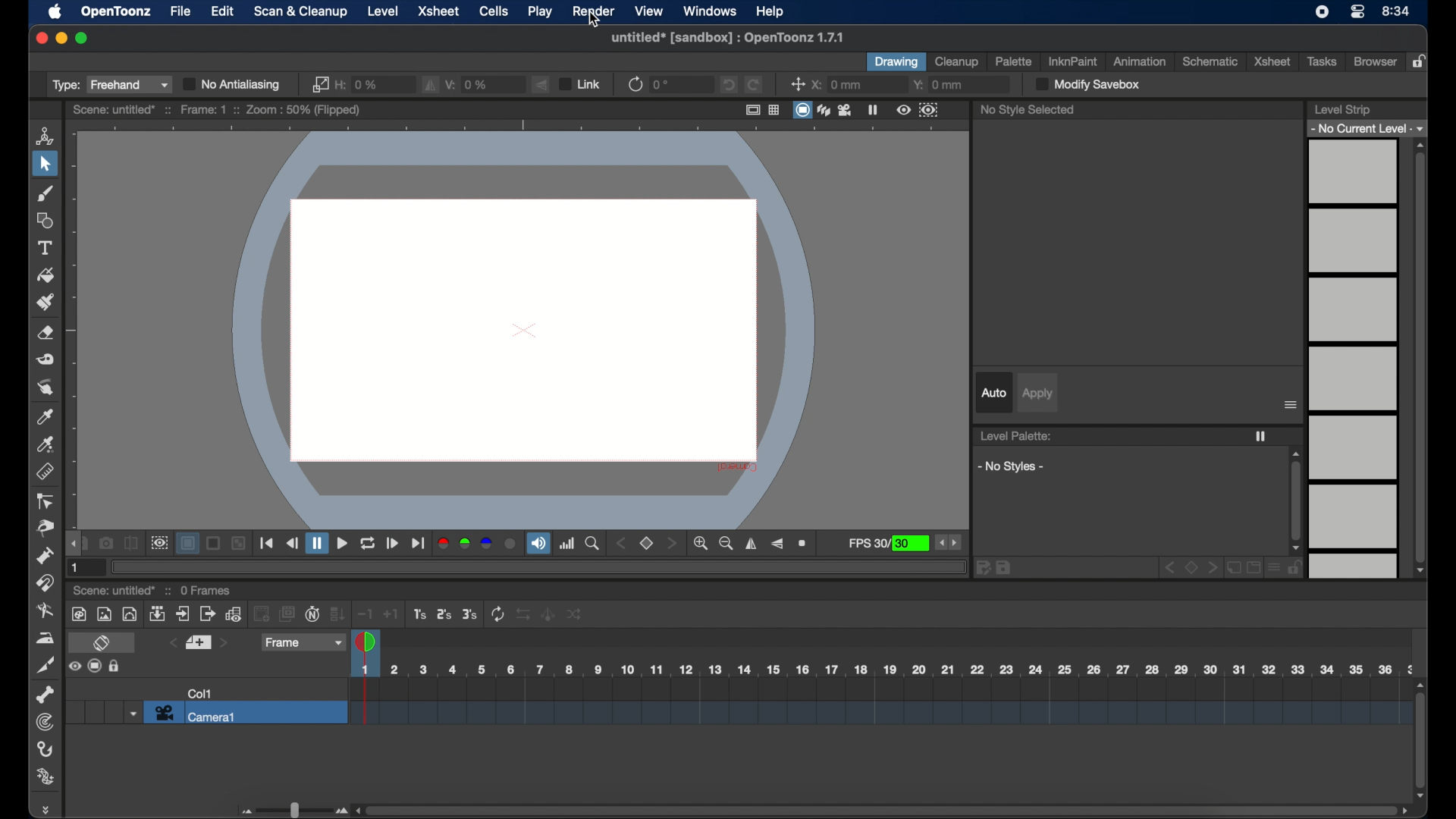 This screenshot has height=819, width=1456. What do you see at coordinates (46, 359) in the screenshot?
I see `tape tool` at bounding box center [46, 359].